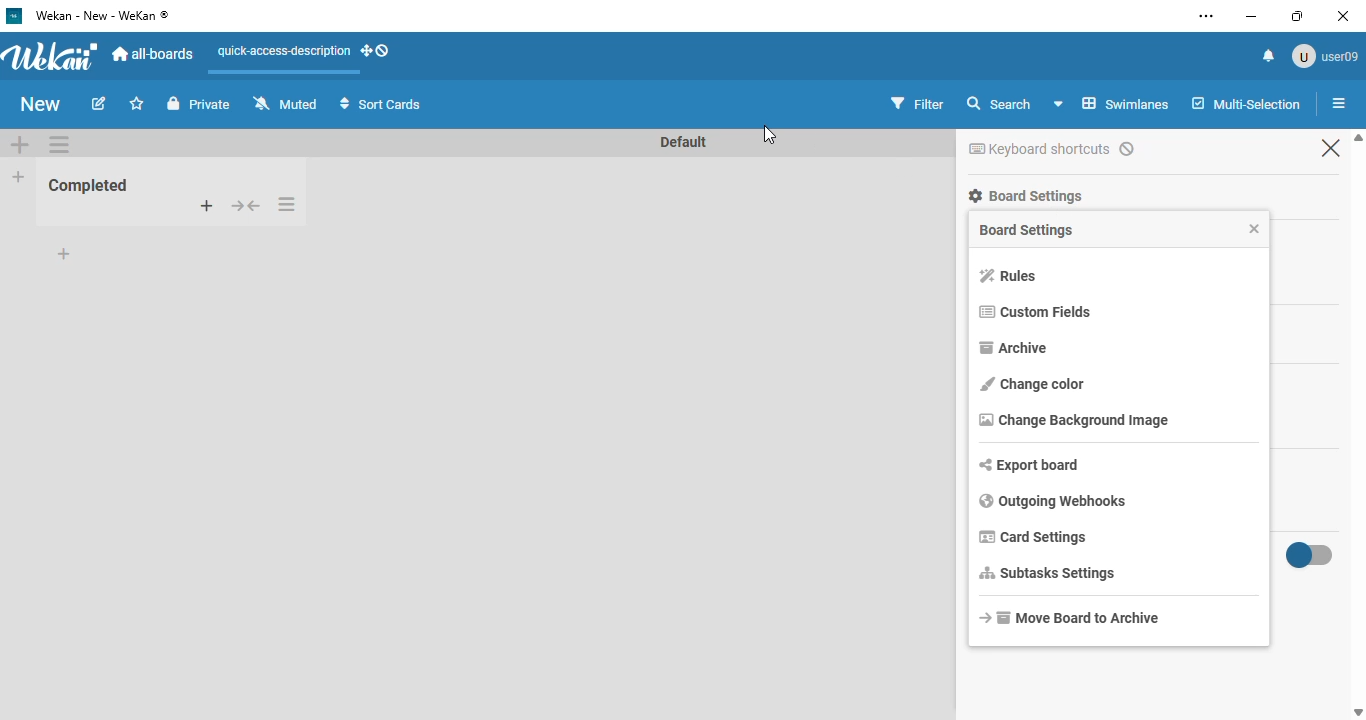 The height and width of the screenshot is (720, 1366). What do you see at coordinates (382, 103) in the screenshot?
I see `sort cards` at bounding box center [382, 103].